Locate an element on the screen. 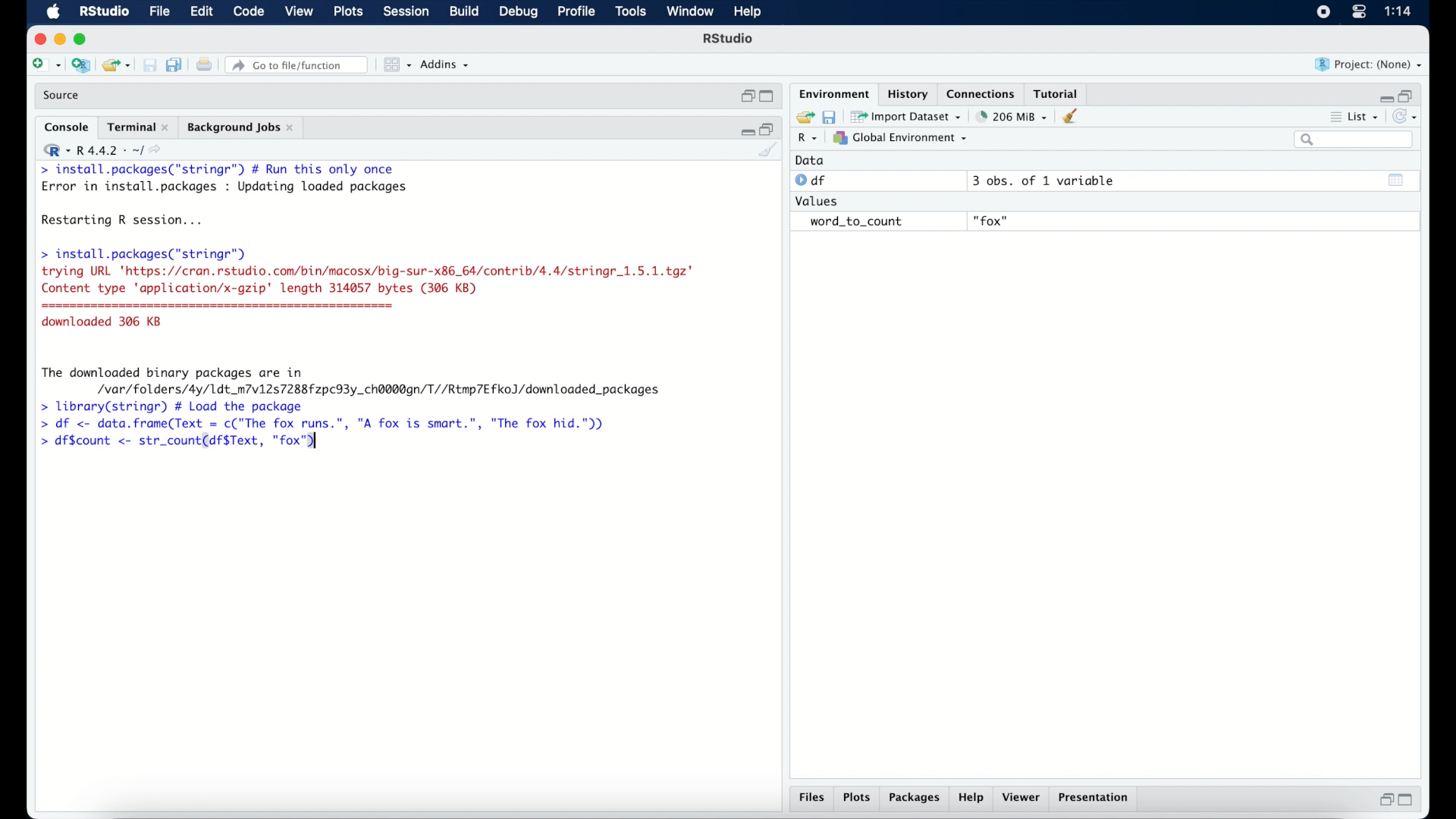  console is located at coordinates (67, 127).